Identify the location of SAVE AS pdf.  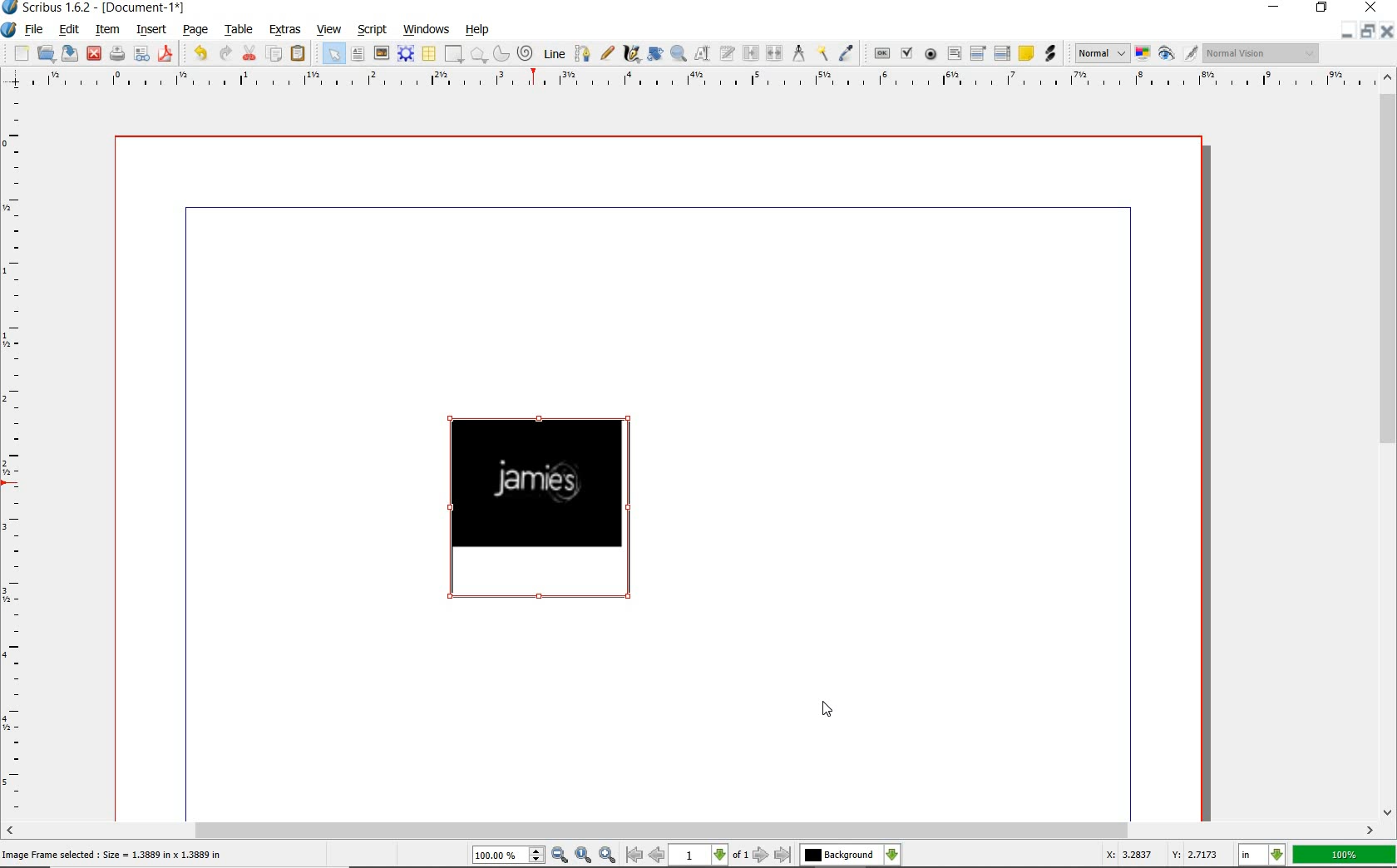
(167, 54).